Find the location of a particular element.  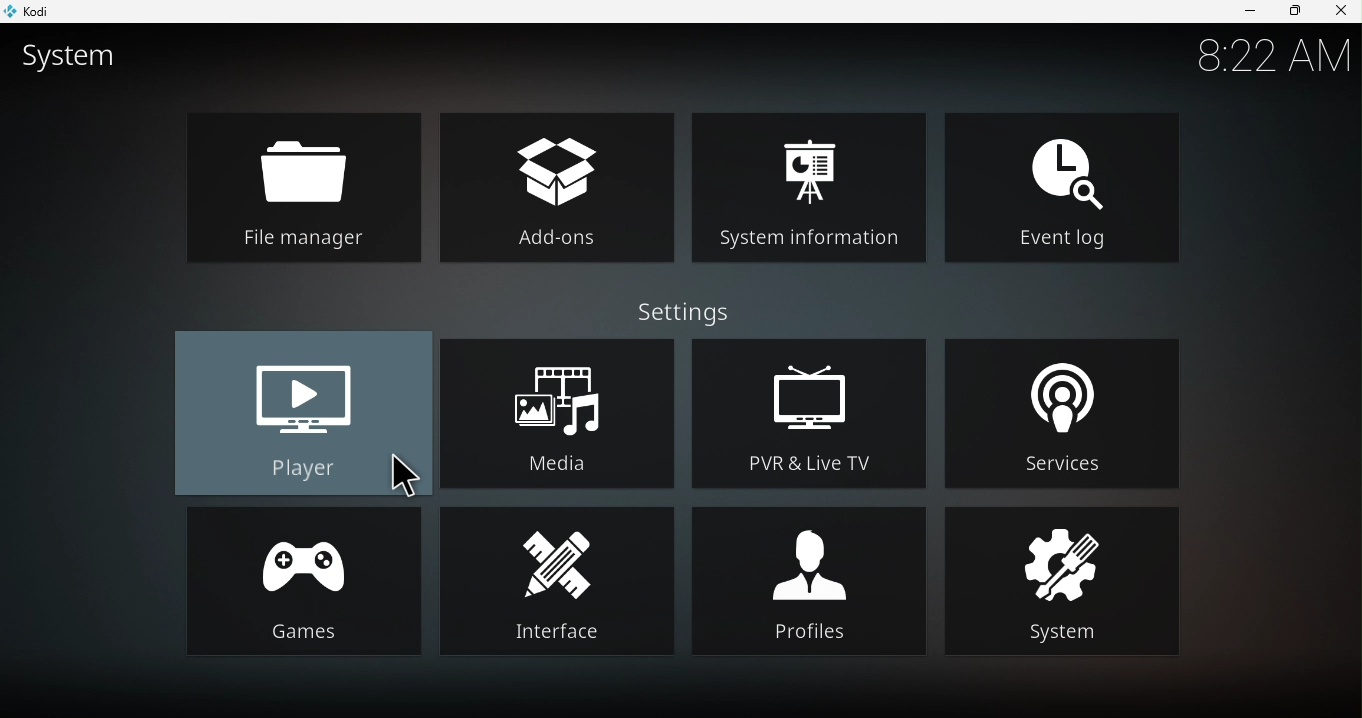

Media is located at coordinates (561, 409).